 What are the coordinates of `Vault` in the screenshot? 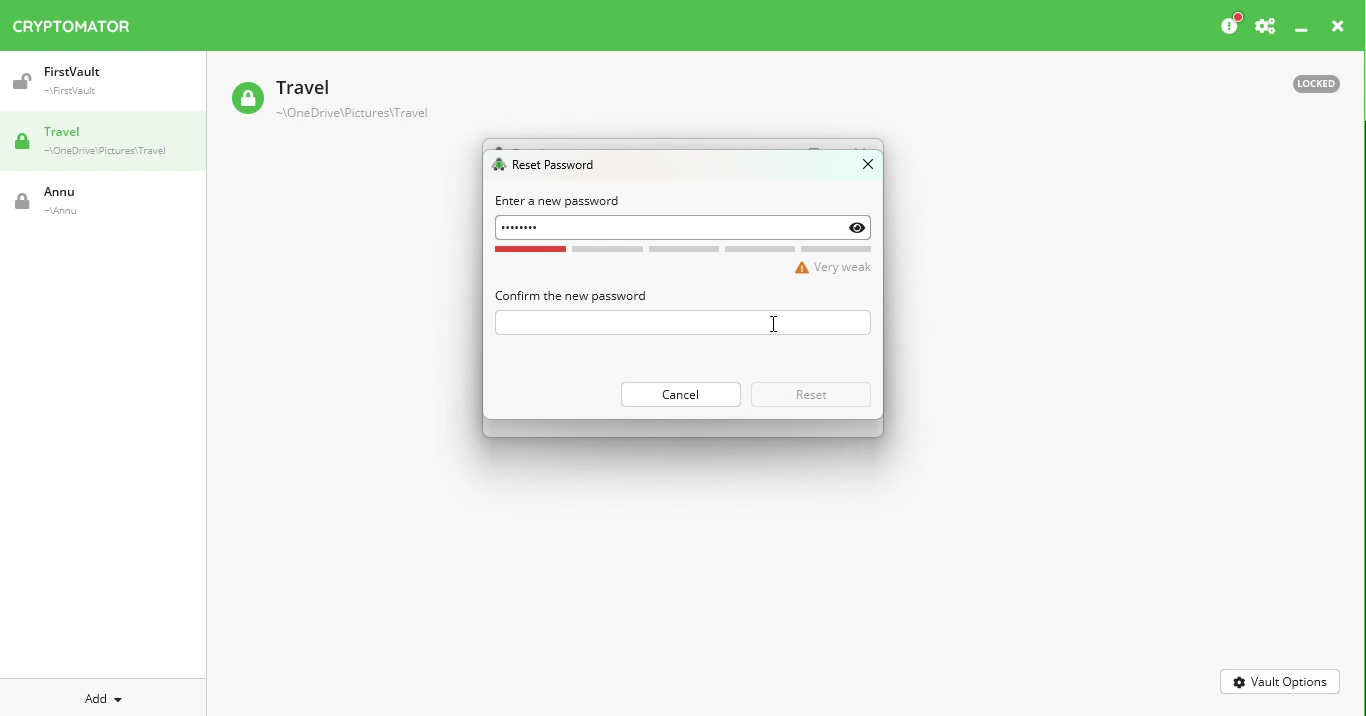 It's located at (85, 201).